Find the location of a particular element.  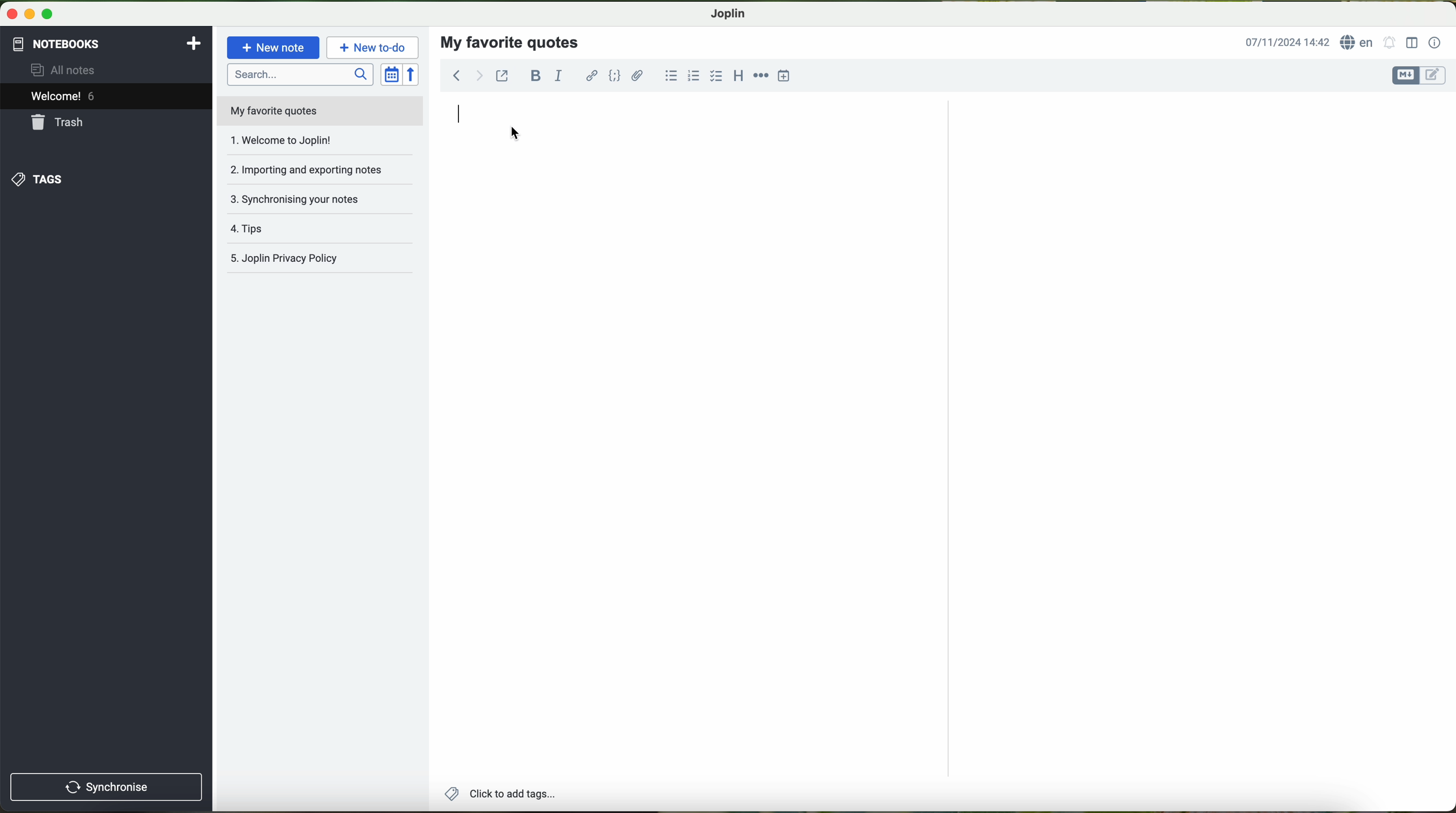

toggle editor is located at coordinates (1419, 75).